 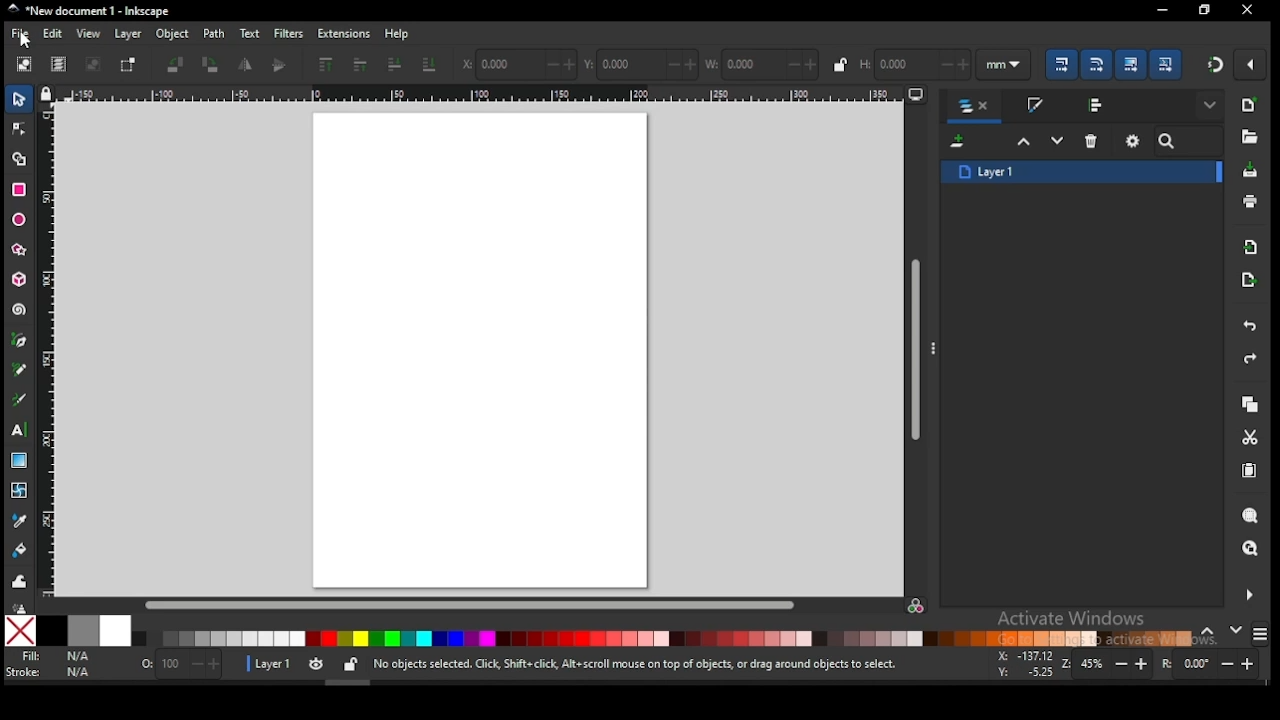 What do you see at coordinates (1203, 10) in the screenshot?
I see `close window` at bounding box center [1203, 10].